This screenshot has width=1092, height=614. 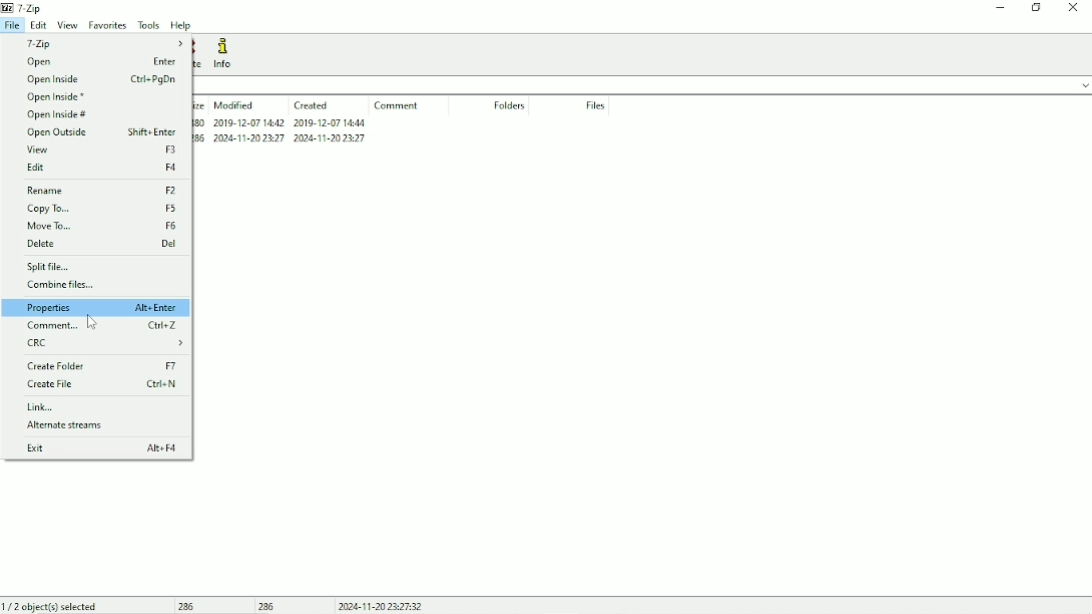 What do you see at coordinates (330, 138) in the screenshot?
I see `created date & time` at bounding box center [330, 138].